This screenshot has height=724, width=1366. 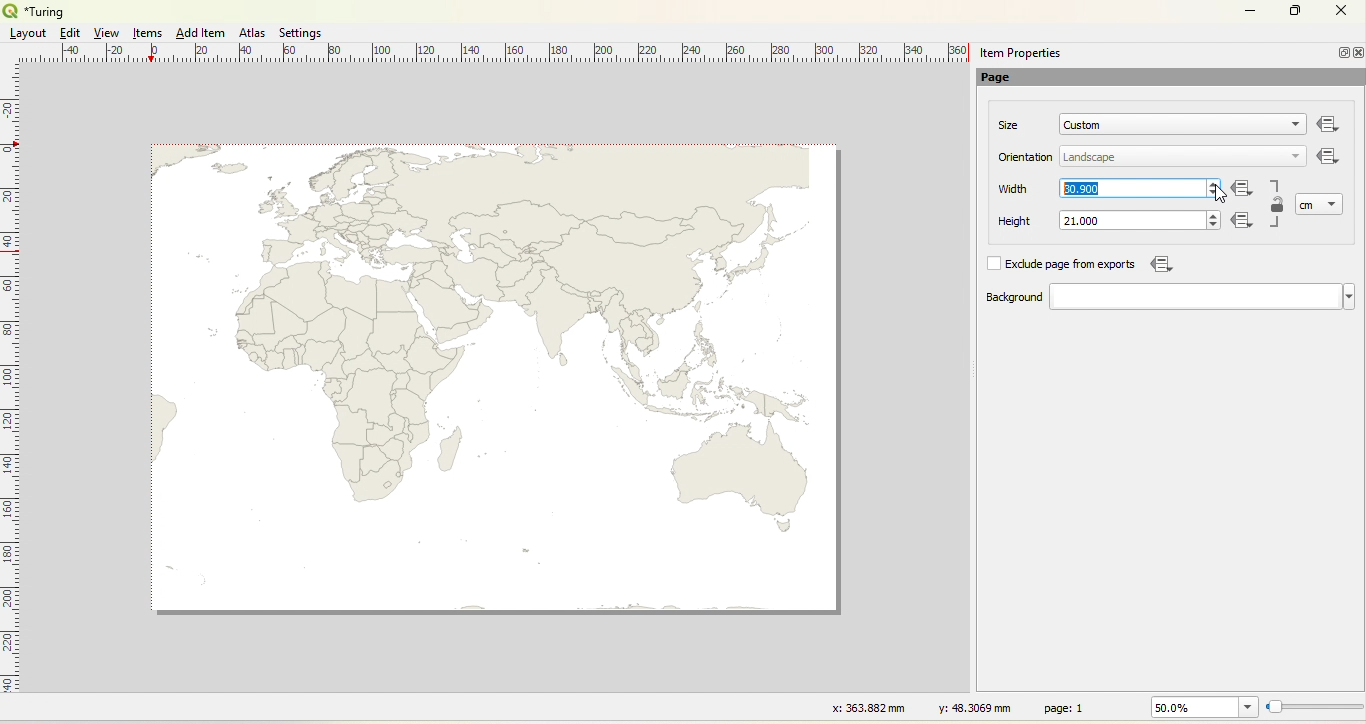 What do you see at coordinates (1340, 13) in the screenshot?
I see `Close` at bounding box center [1340, 13].